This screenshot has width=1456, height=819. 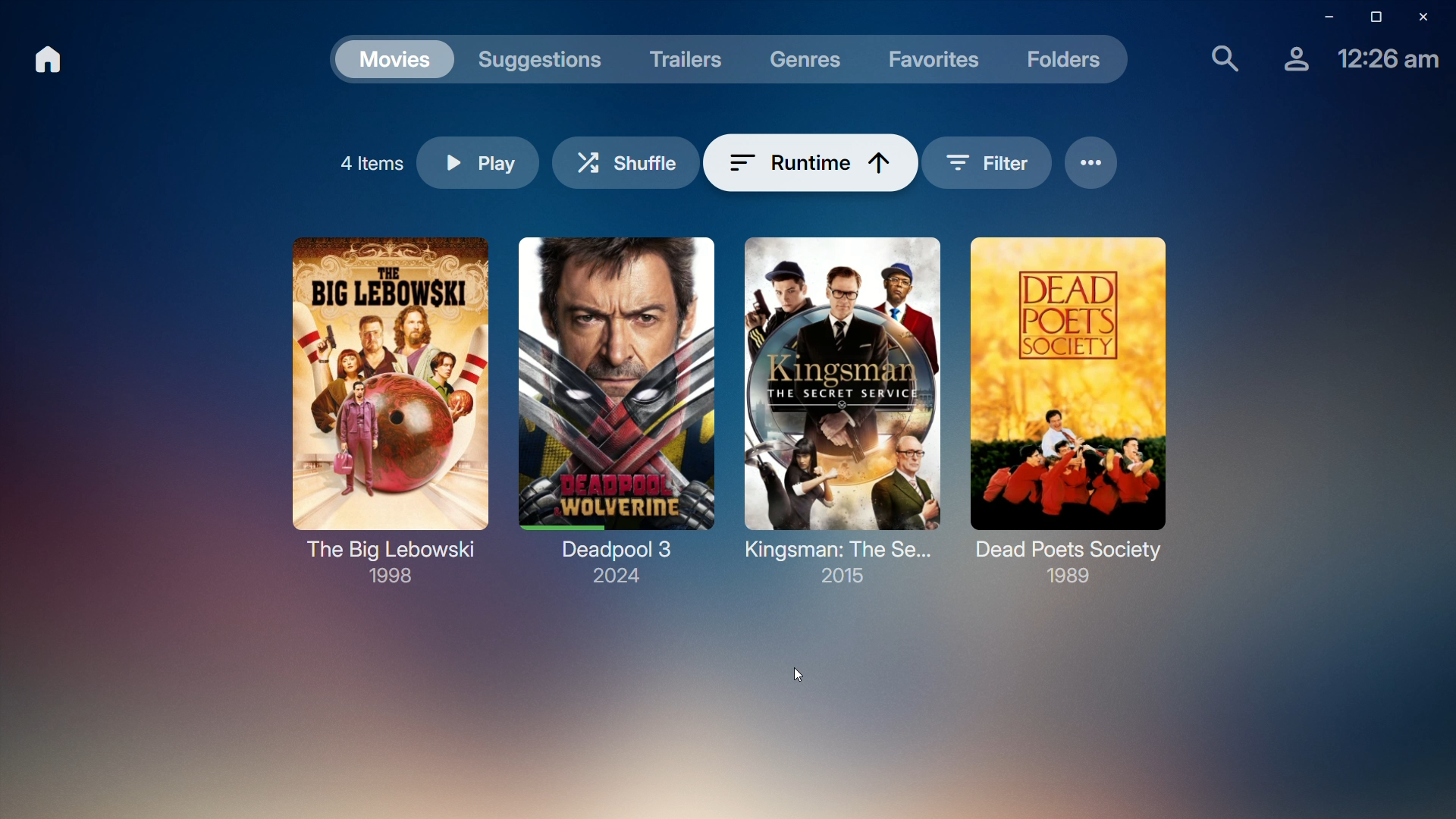 What do you see at coordinates (839, 412) in the screenshot?
I see `Kingsman` at bounding box center [839, 412].